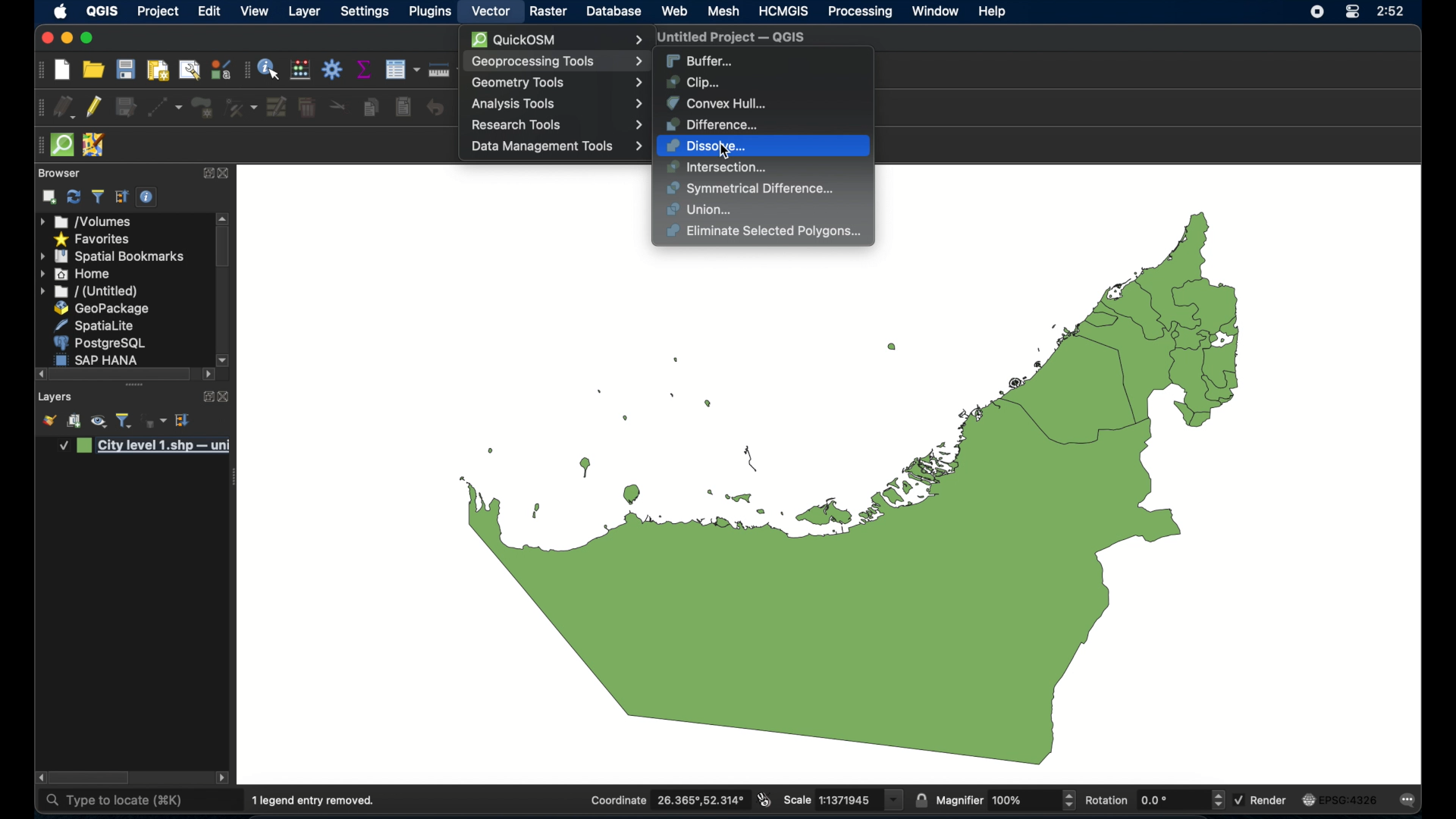 Image resolution: width=1456 pixels, height=819 pixels. I want to click on scroll box, so click(123, 374).